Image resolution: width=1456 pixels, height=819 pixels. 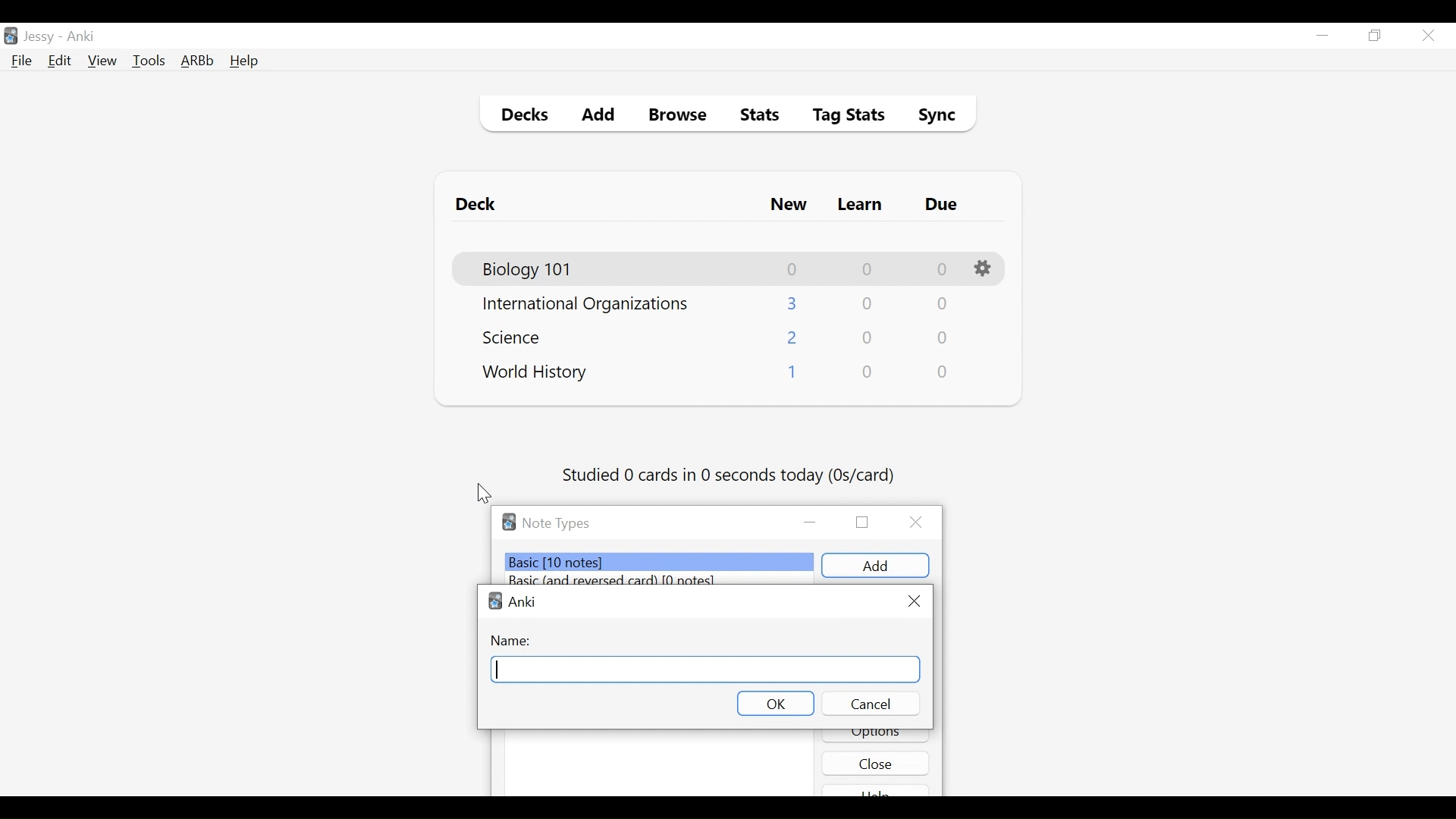 I want to click on Basic (and reversed card)  (number of notes), so click(x=620, y=580).